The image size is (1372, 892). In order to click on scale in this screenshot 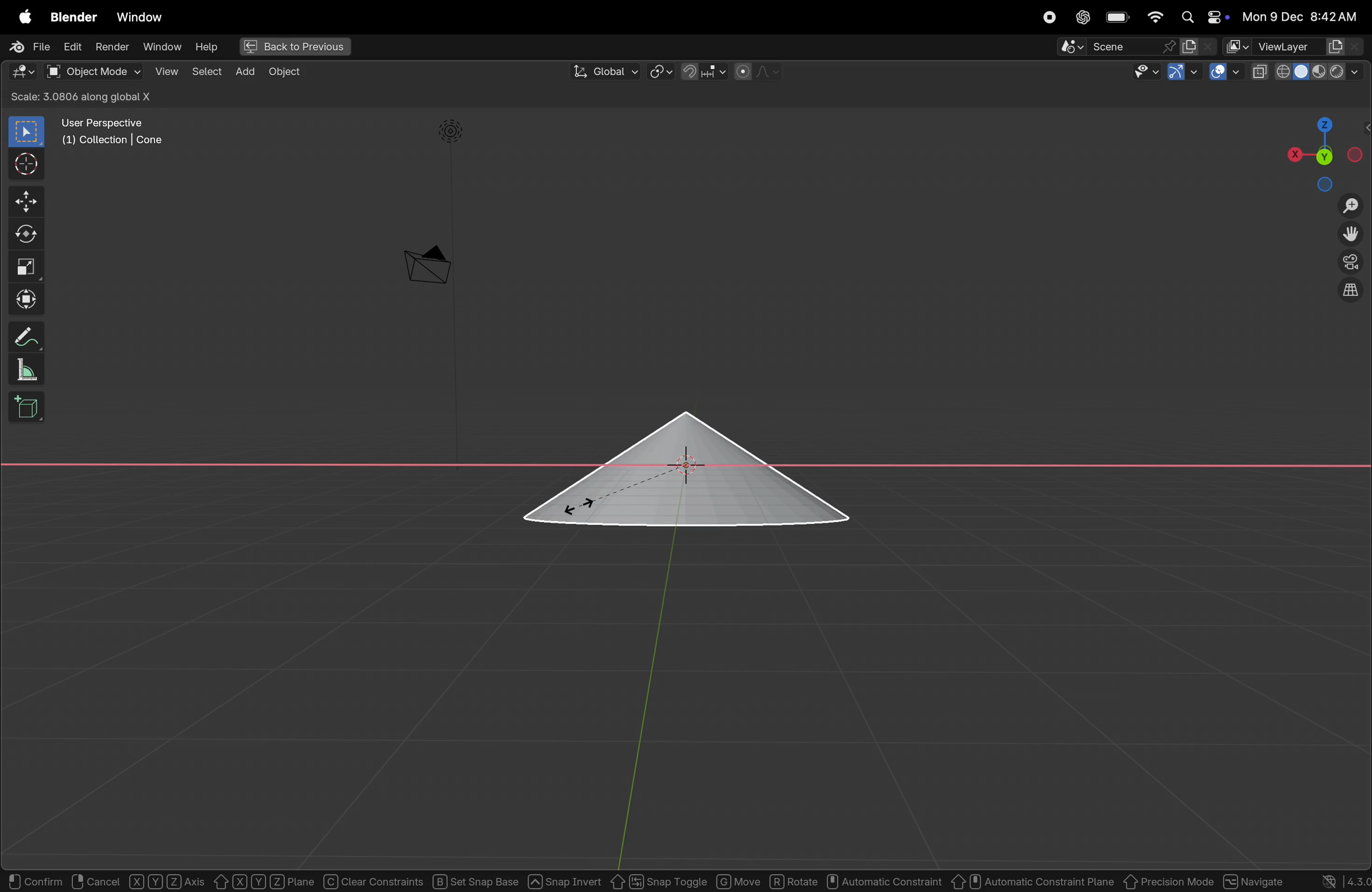, I will do `click(26, 266)`.